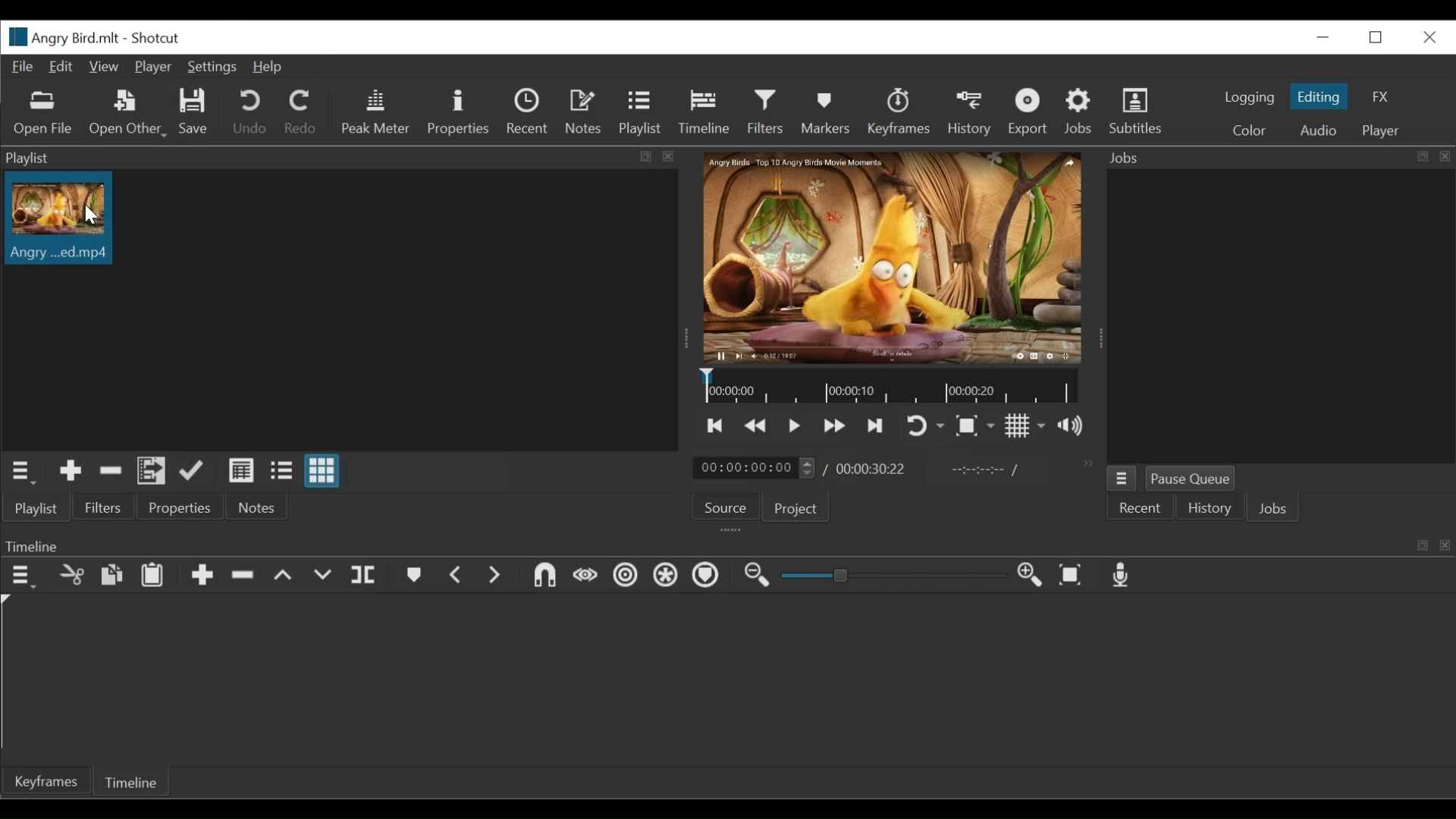 The height and width of the screenshot is (819, 1456). I want to click on Skip to the next point, so click(877, 425).